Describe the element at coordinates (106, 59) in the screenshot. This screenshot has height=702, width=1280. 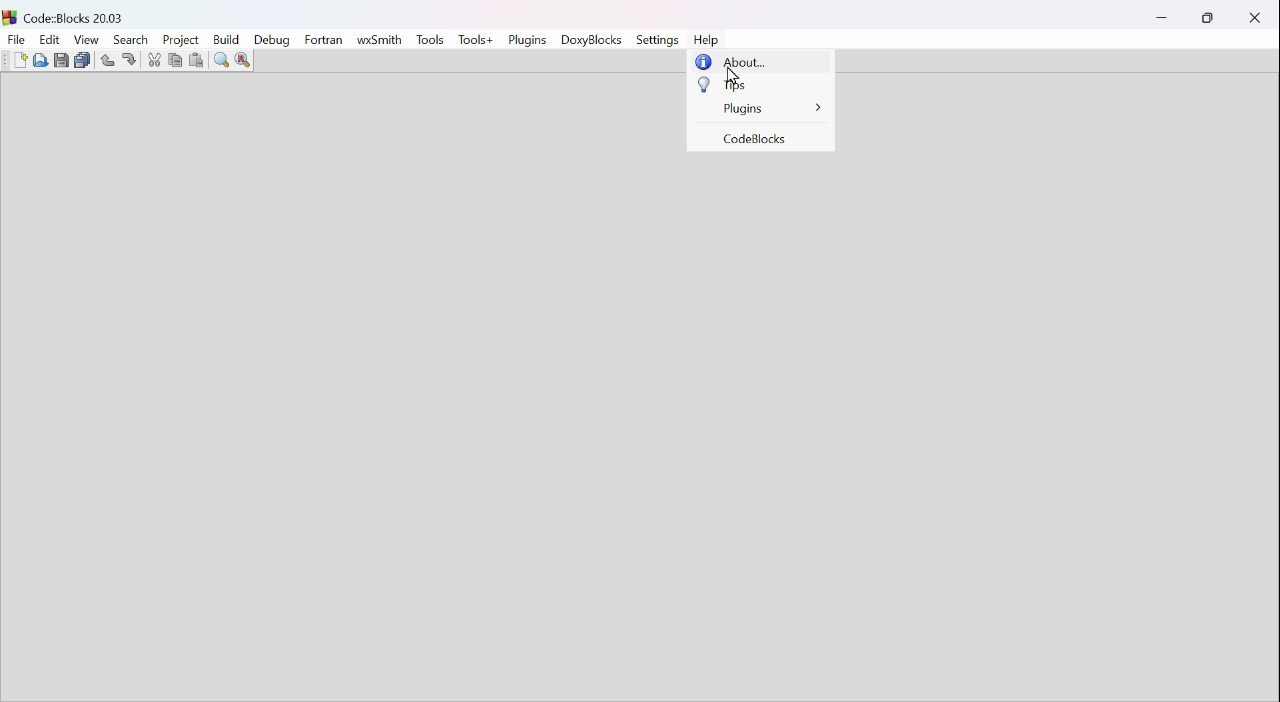
I see `Undo` at that location.